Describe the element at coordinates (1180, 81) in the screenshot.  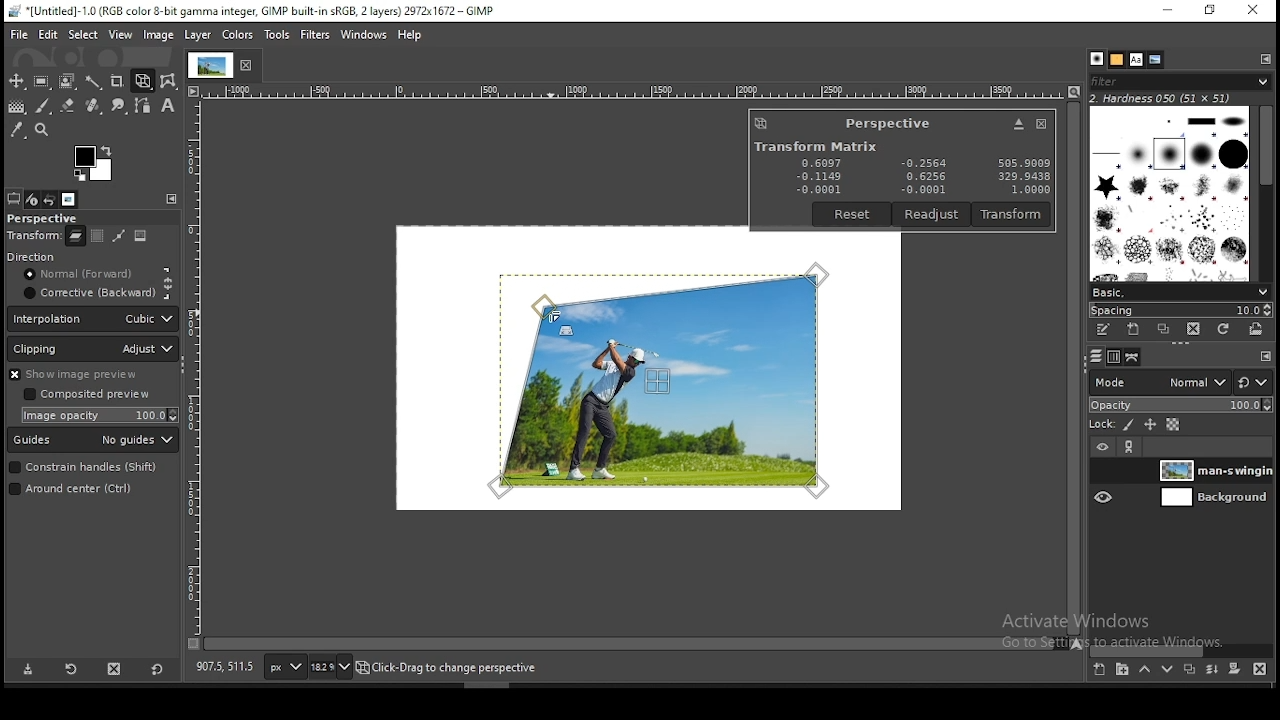
I see `brushes filter` at that location.